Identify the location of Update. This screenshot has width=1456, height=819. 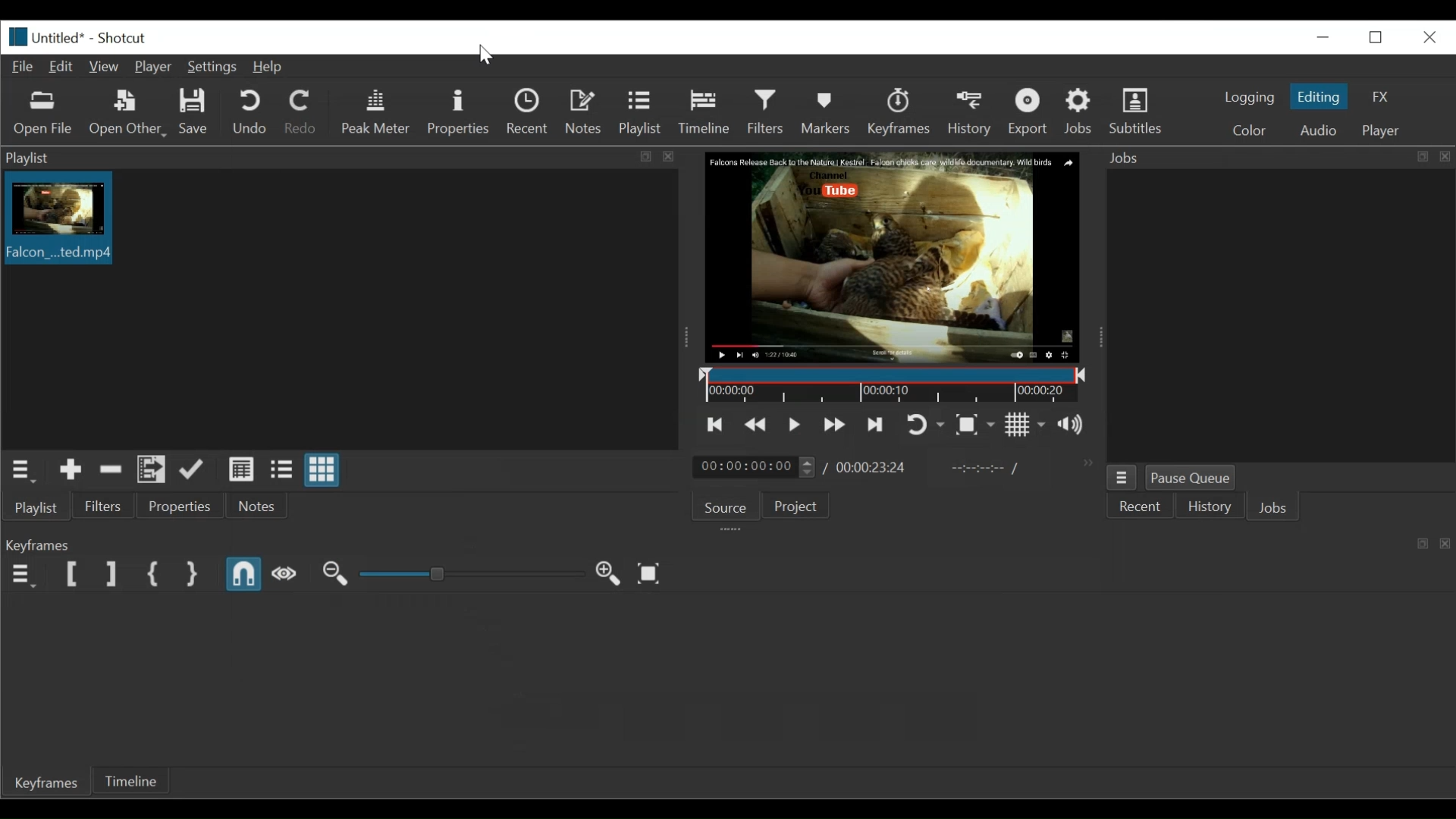
(192, 471).